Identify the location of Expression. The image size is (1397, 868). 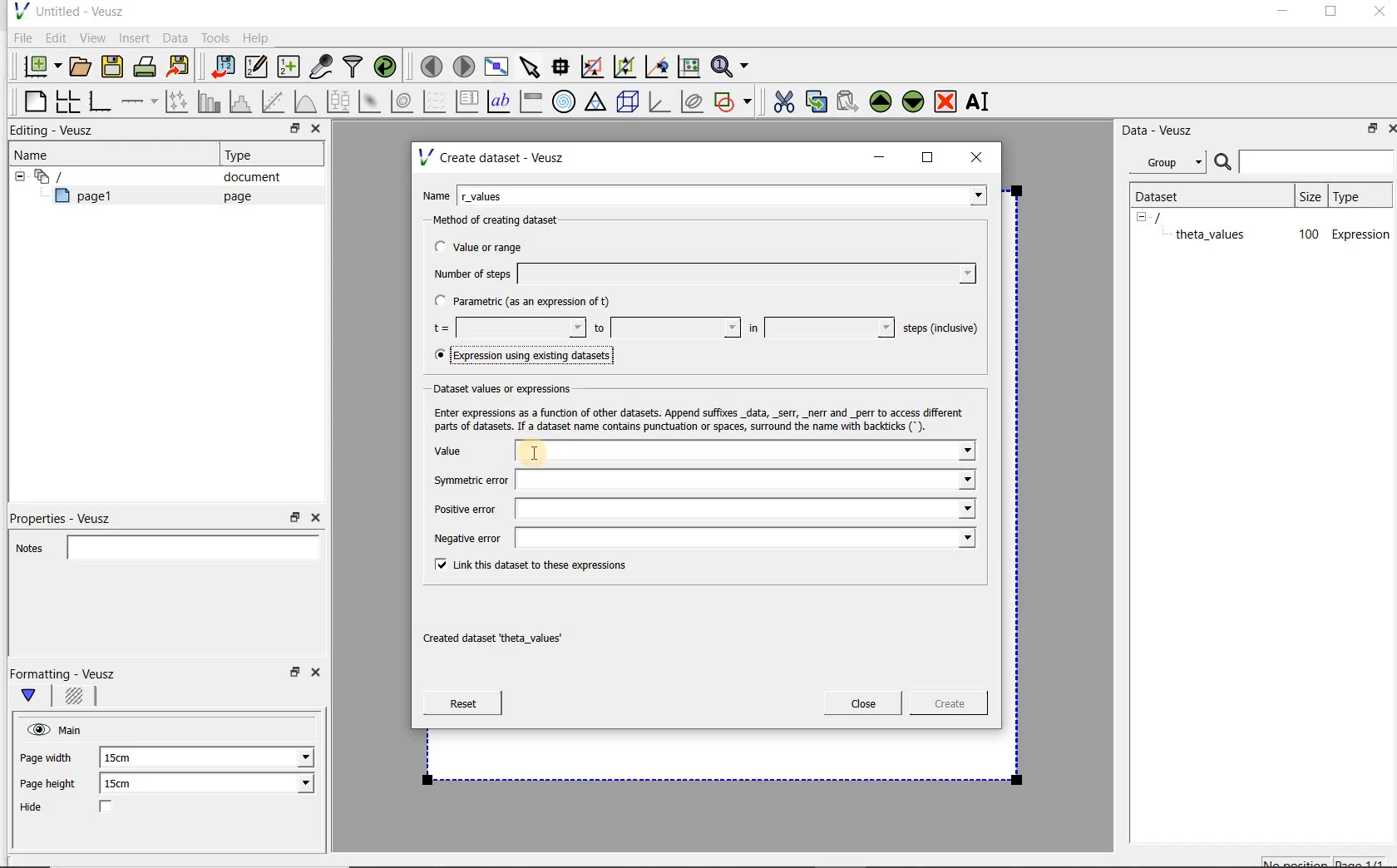
(1361, 234).